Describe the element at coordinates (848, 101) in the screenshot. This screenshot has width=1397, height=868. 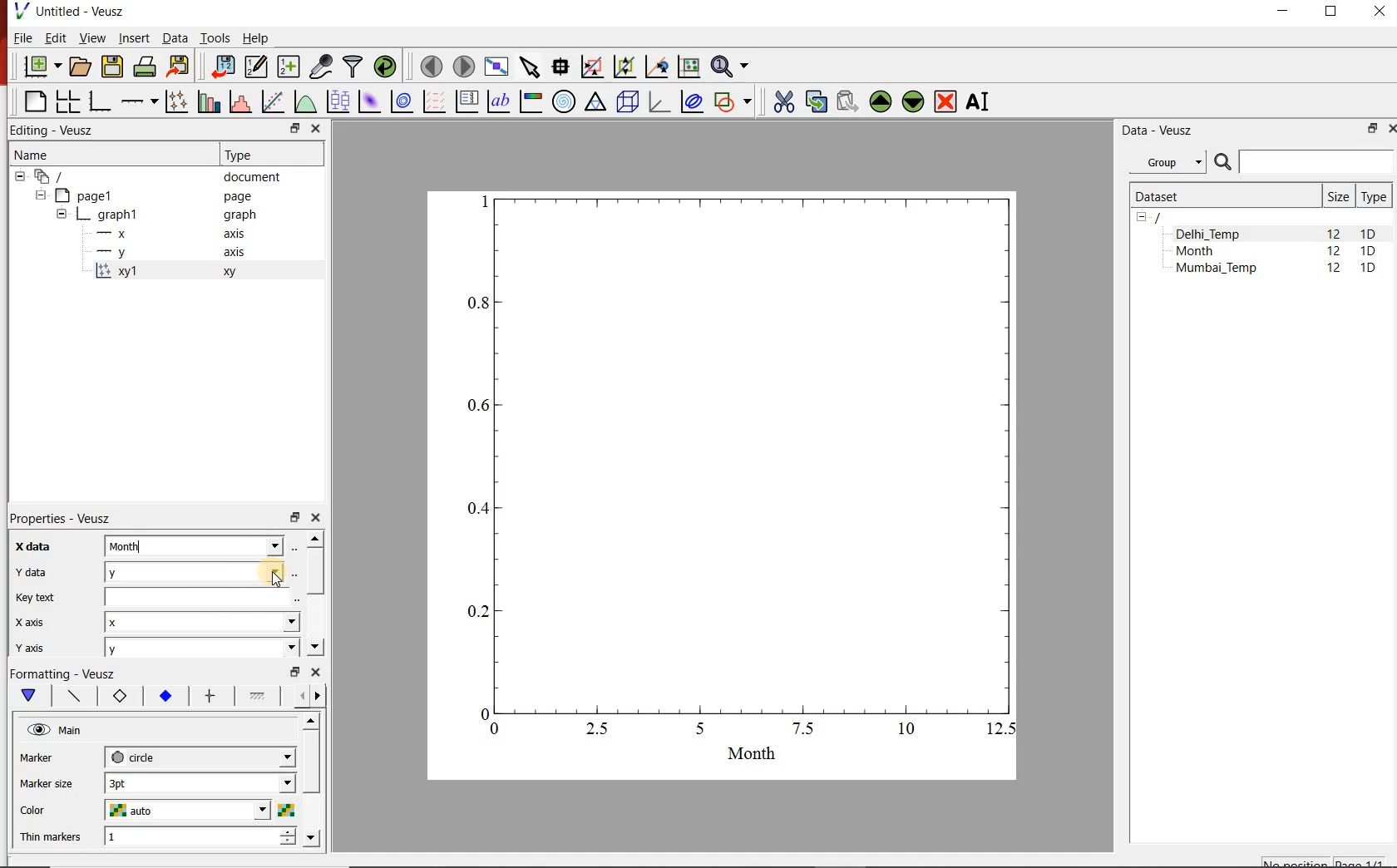
I see `paste widget from the clipboard` at that location.